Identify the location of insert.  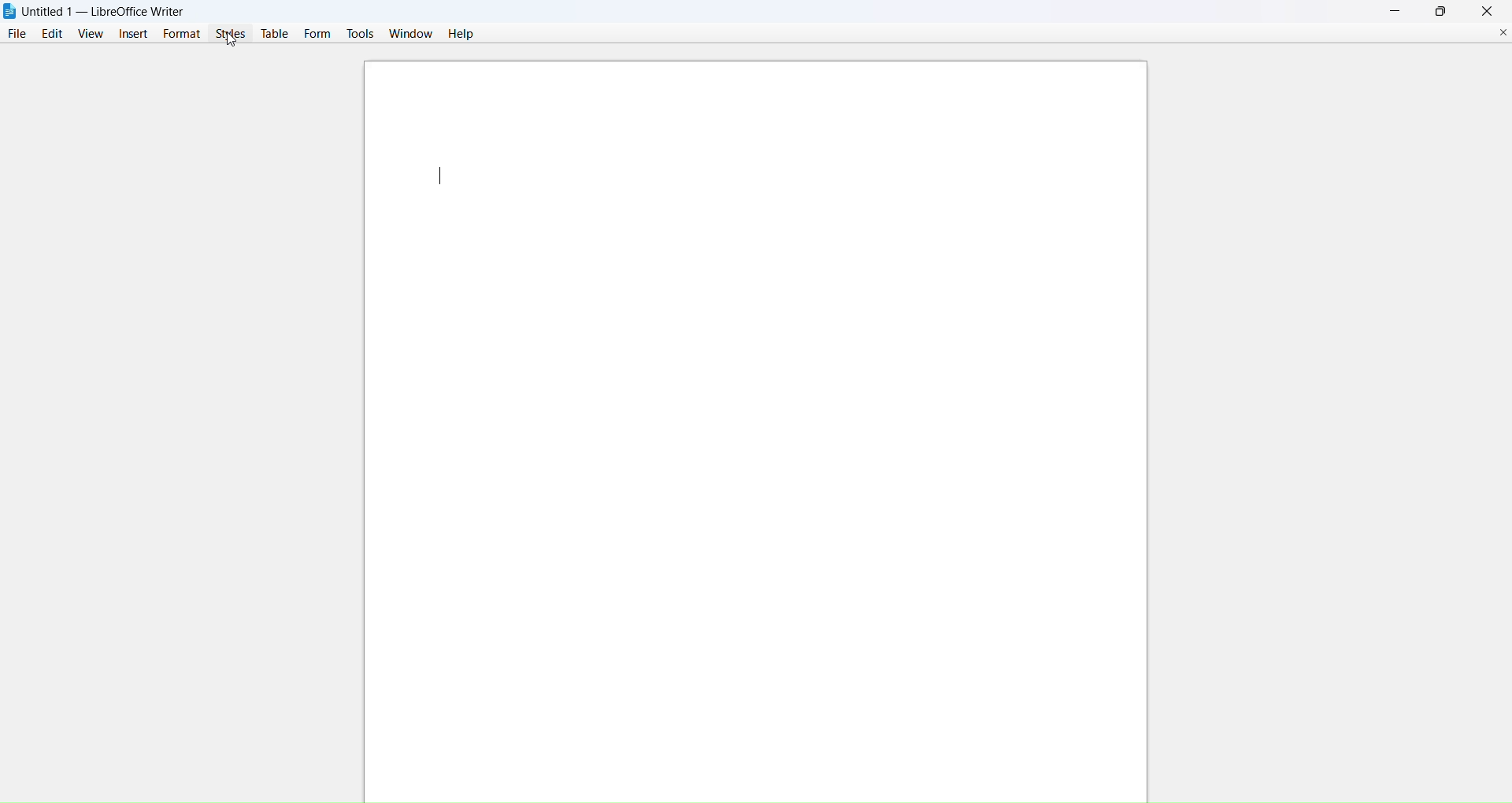
(134, 32).